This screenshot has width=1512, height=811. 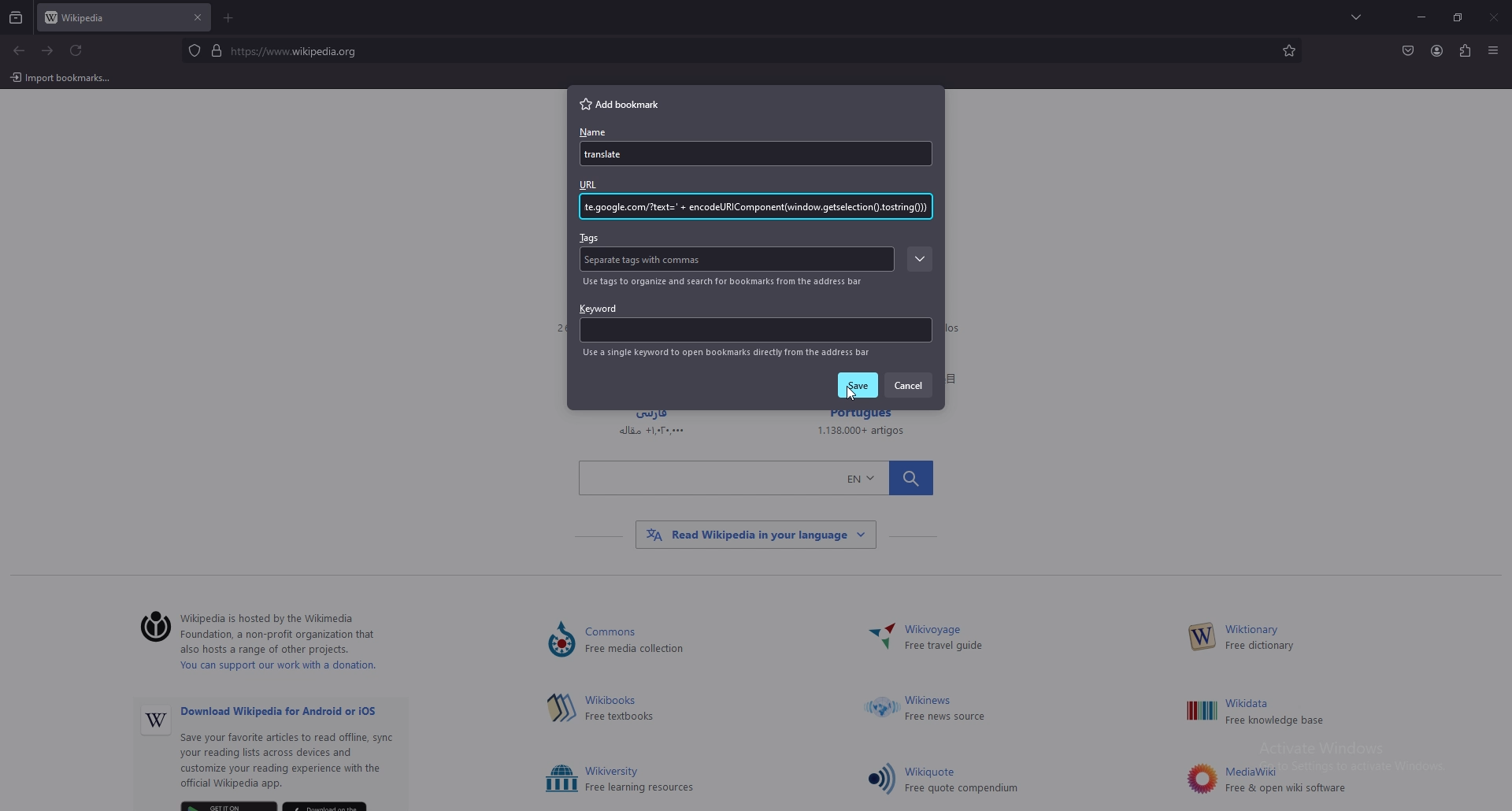 I want to click on list all tabs, so click(x=1361, y=16).